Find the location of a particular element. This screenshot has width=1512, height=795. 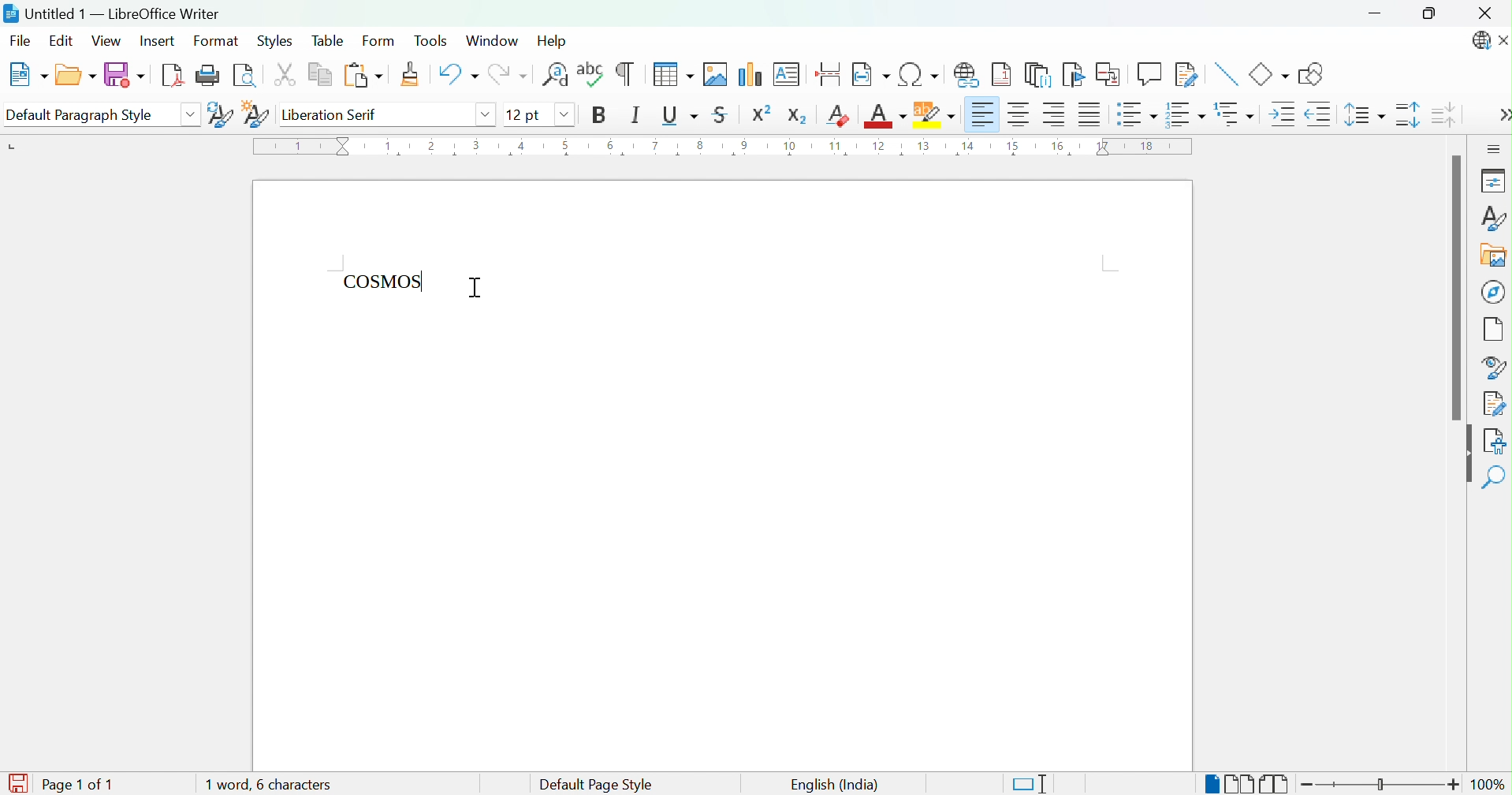

Ruler is located at coordinates (720, 149).